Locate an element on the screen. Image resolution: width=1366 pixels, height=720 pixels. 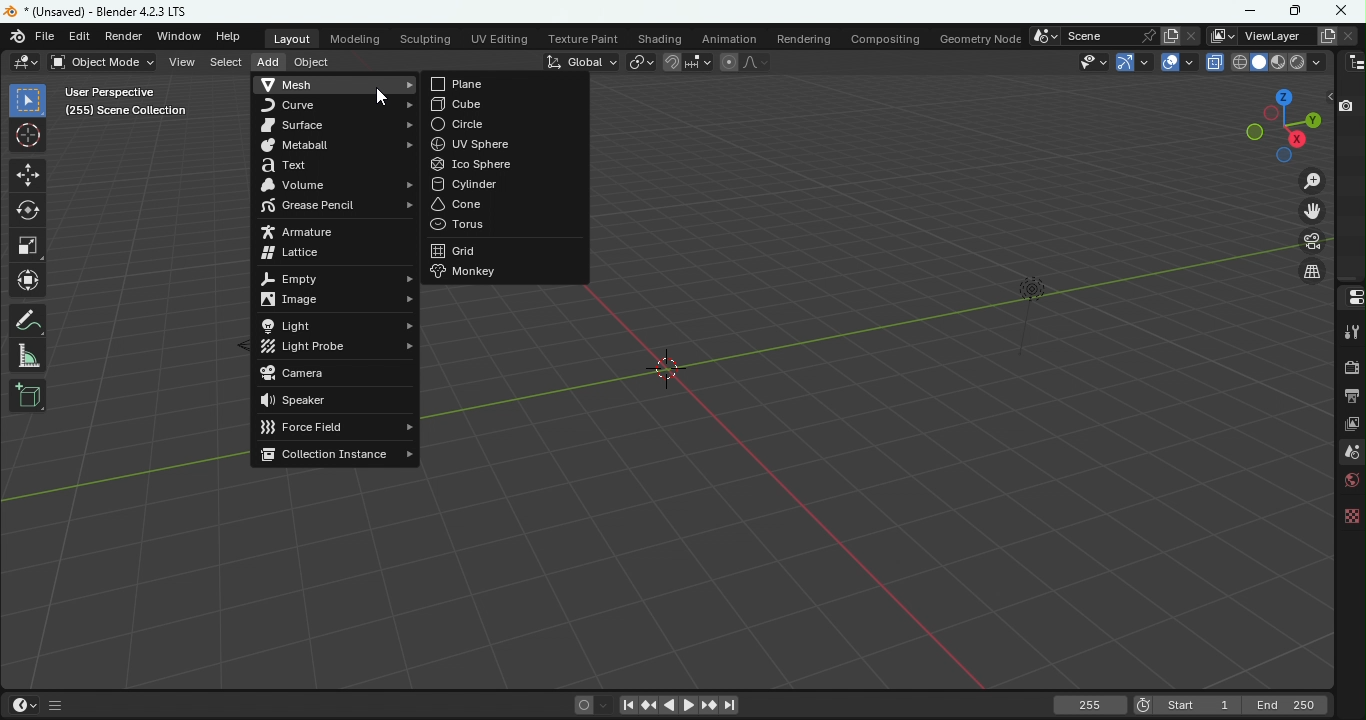
Toggle the camera view is located at coordinates (1313, 244).